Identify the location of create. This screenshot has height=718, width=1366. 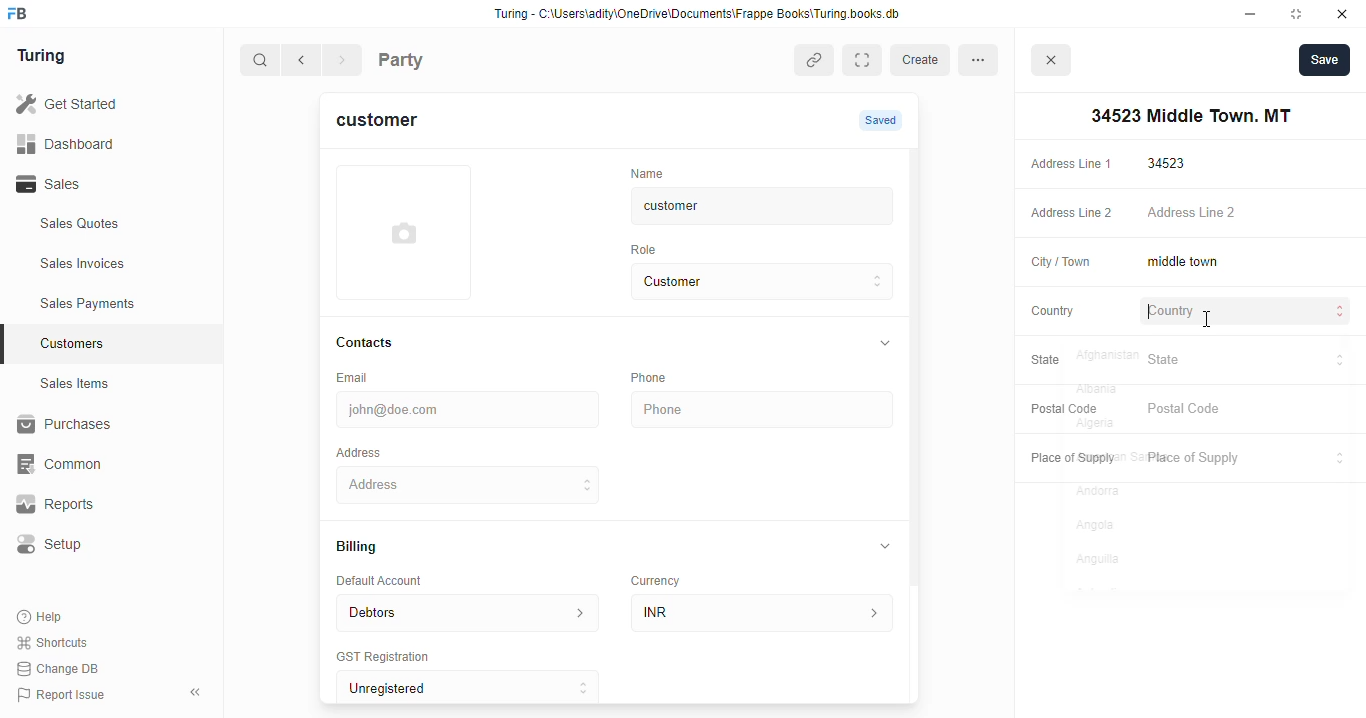
(923, 60).